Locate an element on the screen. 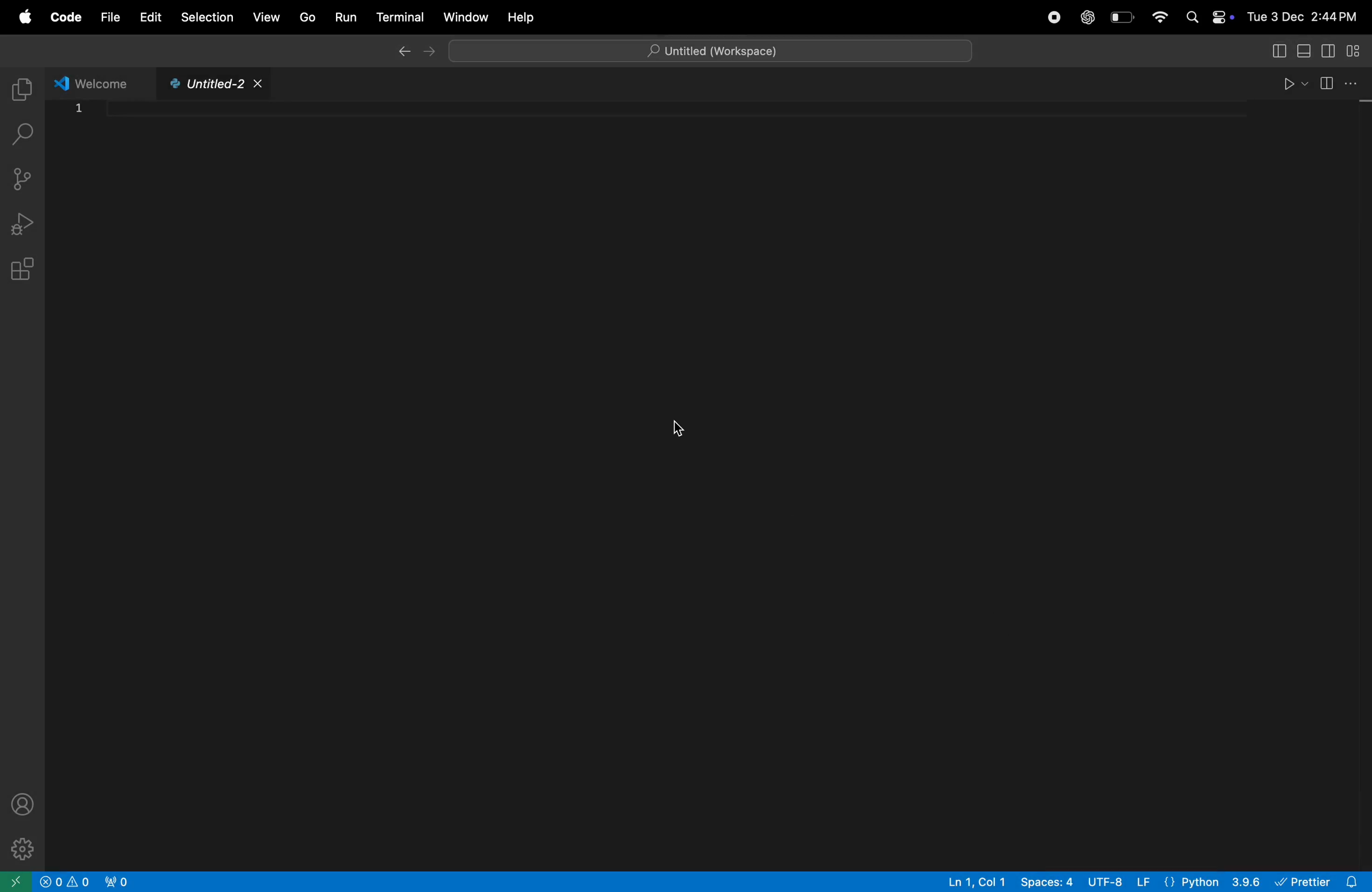 The width and height of the screenshot is (1372, 892). no problems is located at coordinates (66, 881).